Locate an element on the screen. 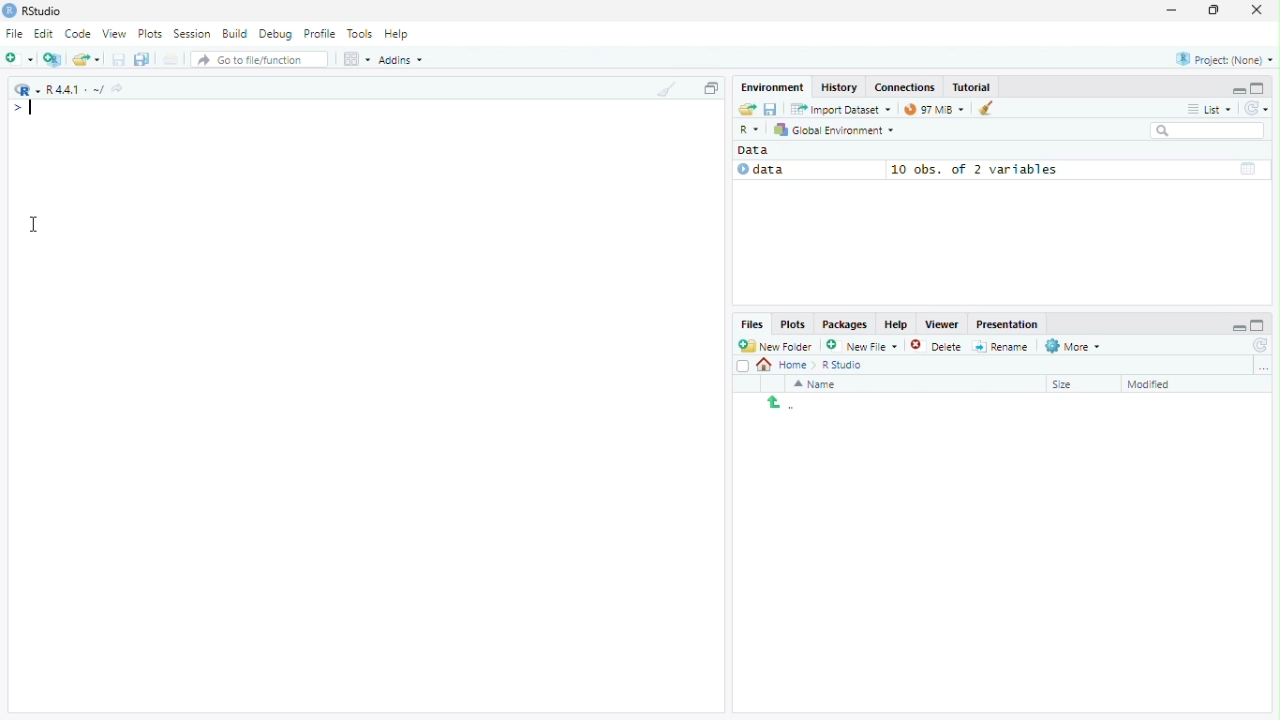  Create a new file is located at coordinates (20, 59).